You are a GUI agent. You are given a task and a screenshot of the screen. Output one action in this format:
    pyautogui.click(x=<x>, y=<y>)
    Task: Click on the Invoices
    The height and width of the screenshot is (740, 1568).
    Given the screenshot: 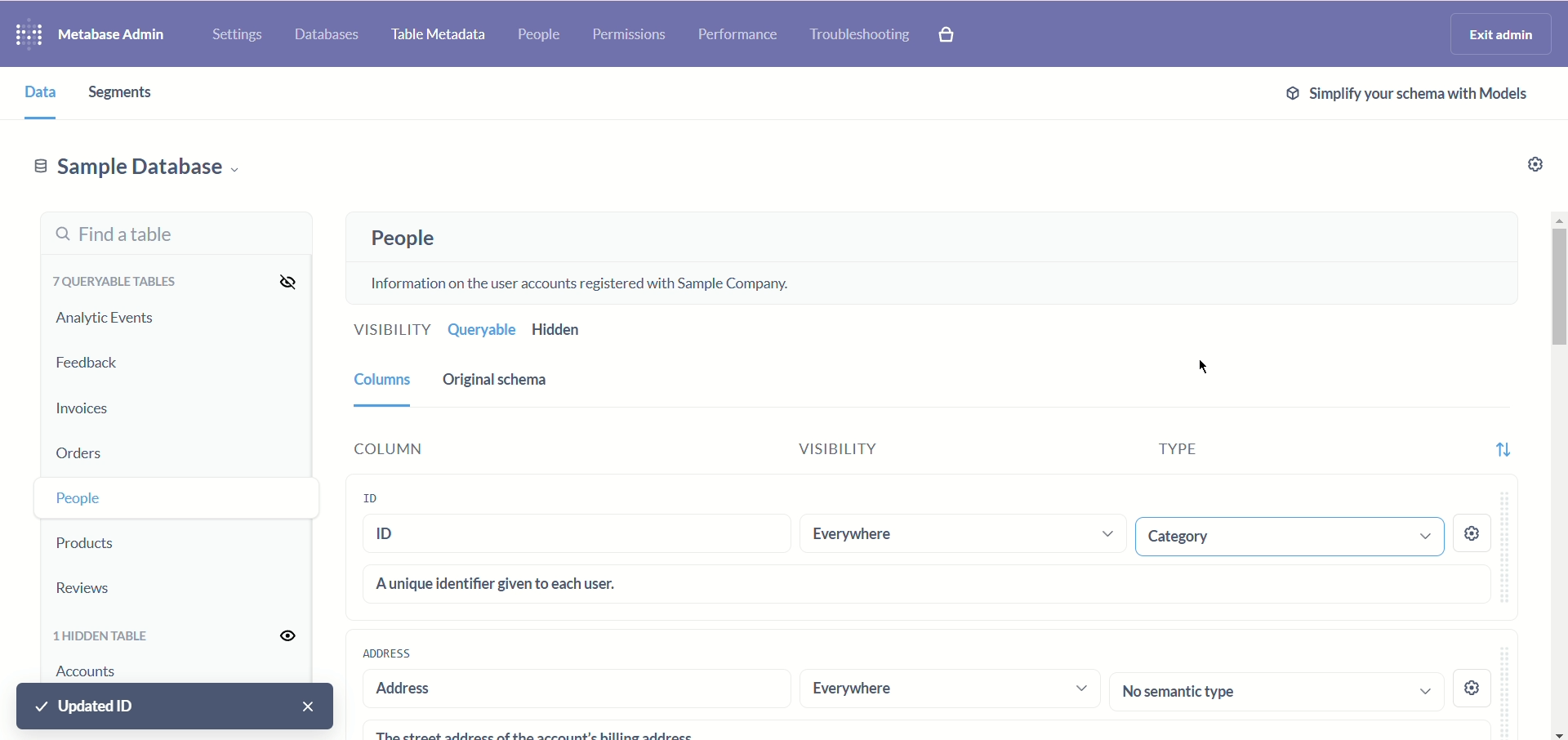 What is the action you would take?
    pyautogui.click(x=104, y=405)
    